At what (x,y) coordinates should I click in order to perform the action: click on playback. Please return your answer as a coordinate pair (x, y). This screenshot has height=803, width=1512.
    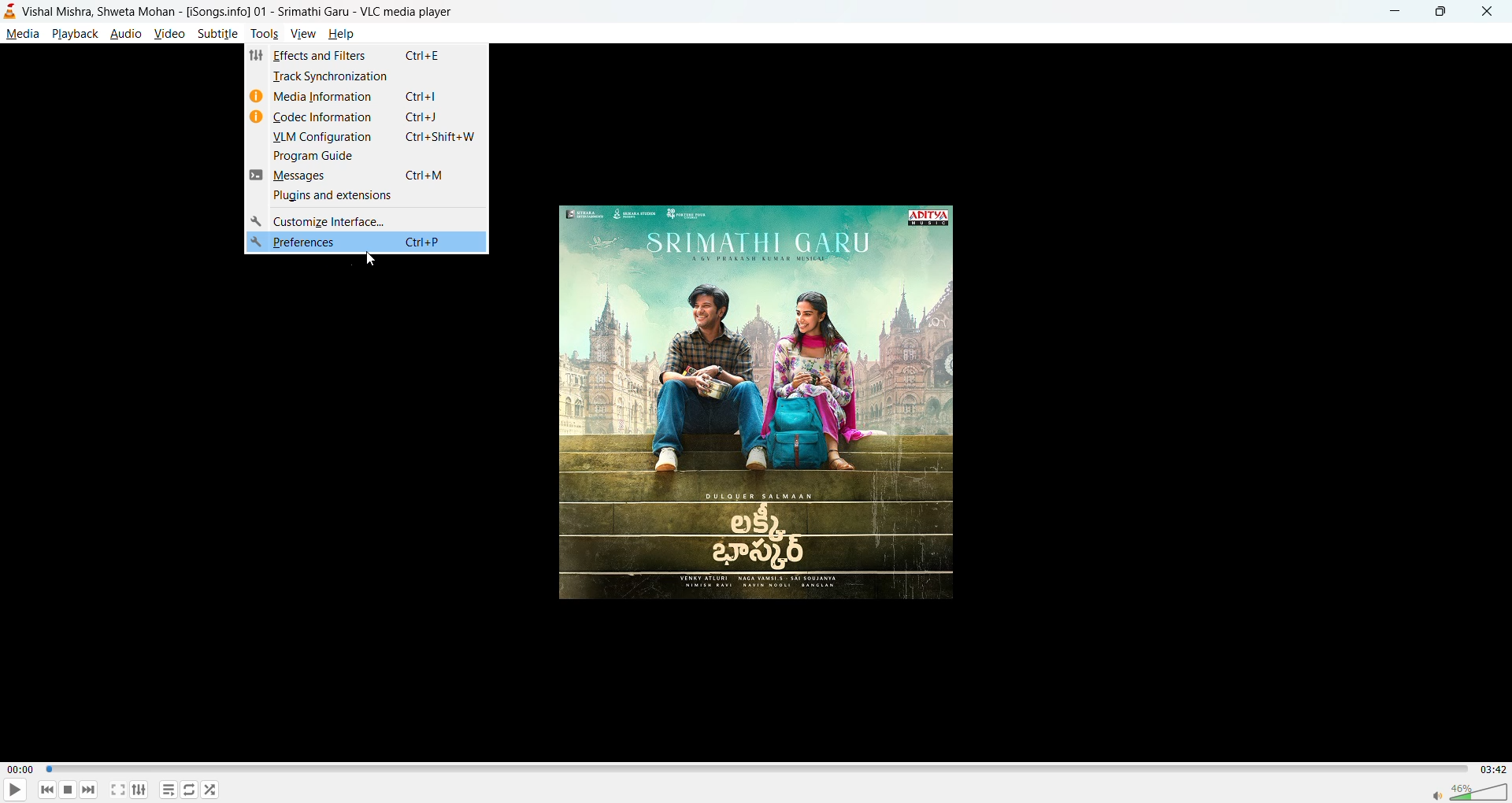
    Looking at the image, I should click on (74, 33).